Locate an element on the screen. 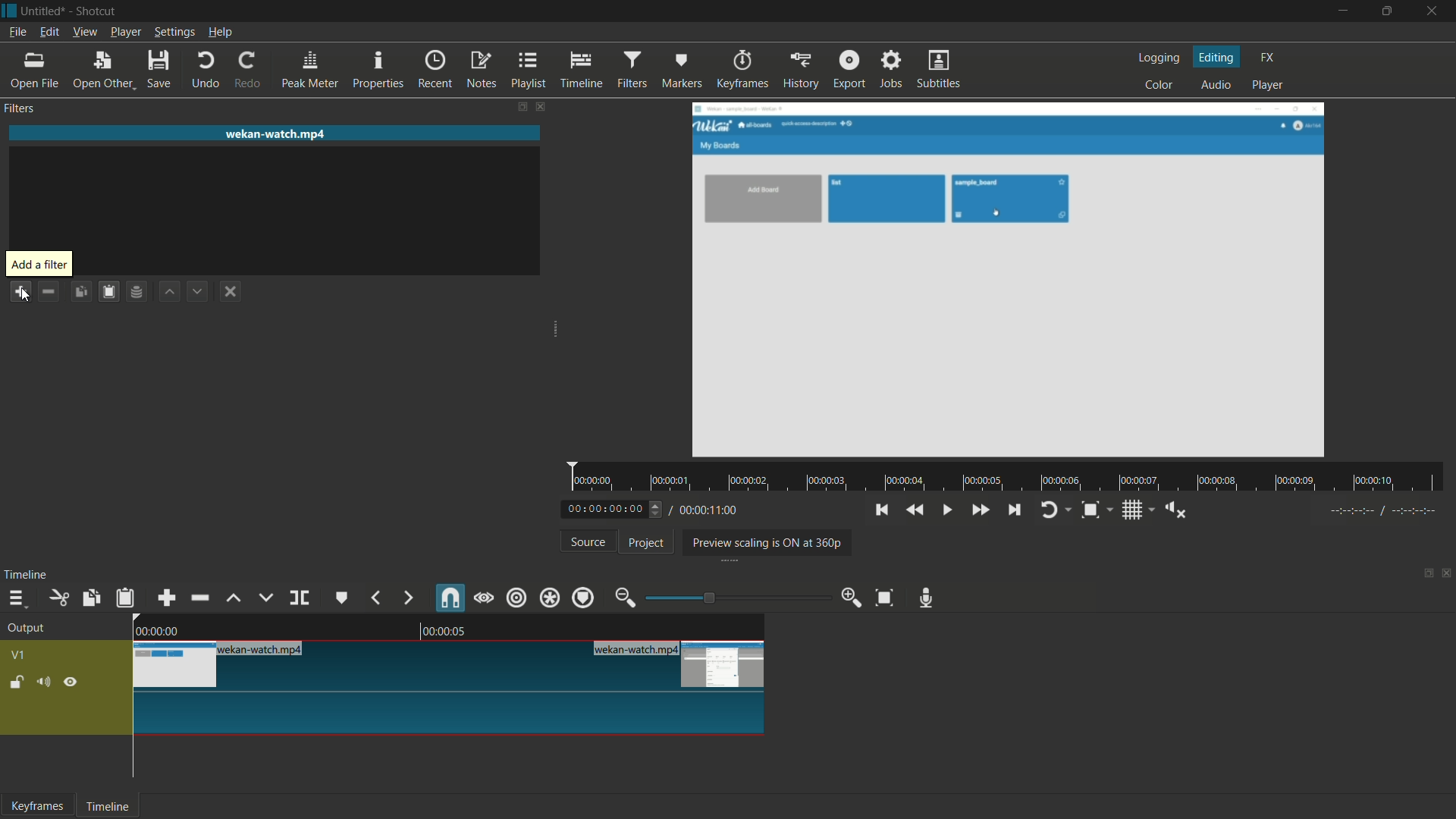 This screenshot has height=819, width=1456. ----:-- / is located at coordinates (1391, 513).